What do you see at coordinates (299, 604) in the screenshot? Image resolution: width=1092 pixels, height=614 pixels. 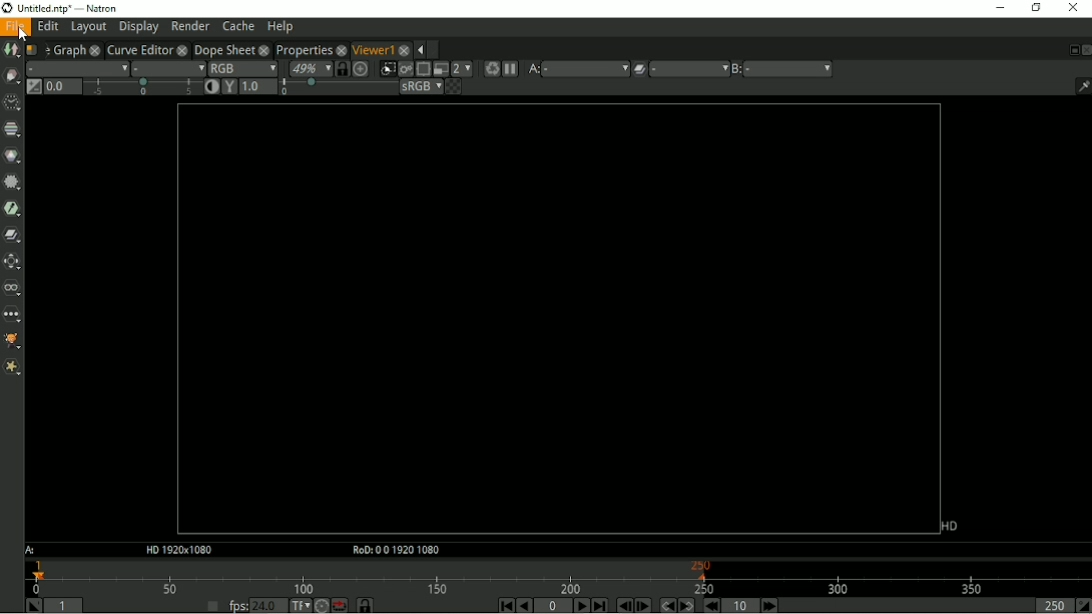 I see `Set the time display format` at bounding box center [299, 604].